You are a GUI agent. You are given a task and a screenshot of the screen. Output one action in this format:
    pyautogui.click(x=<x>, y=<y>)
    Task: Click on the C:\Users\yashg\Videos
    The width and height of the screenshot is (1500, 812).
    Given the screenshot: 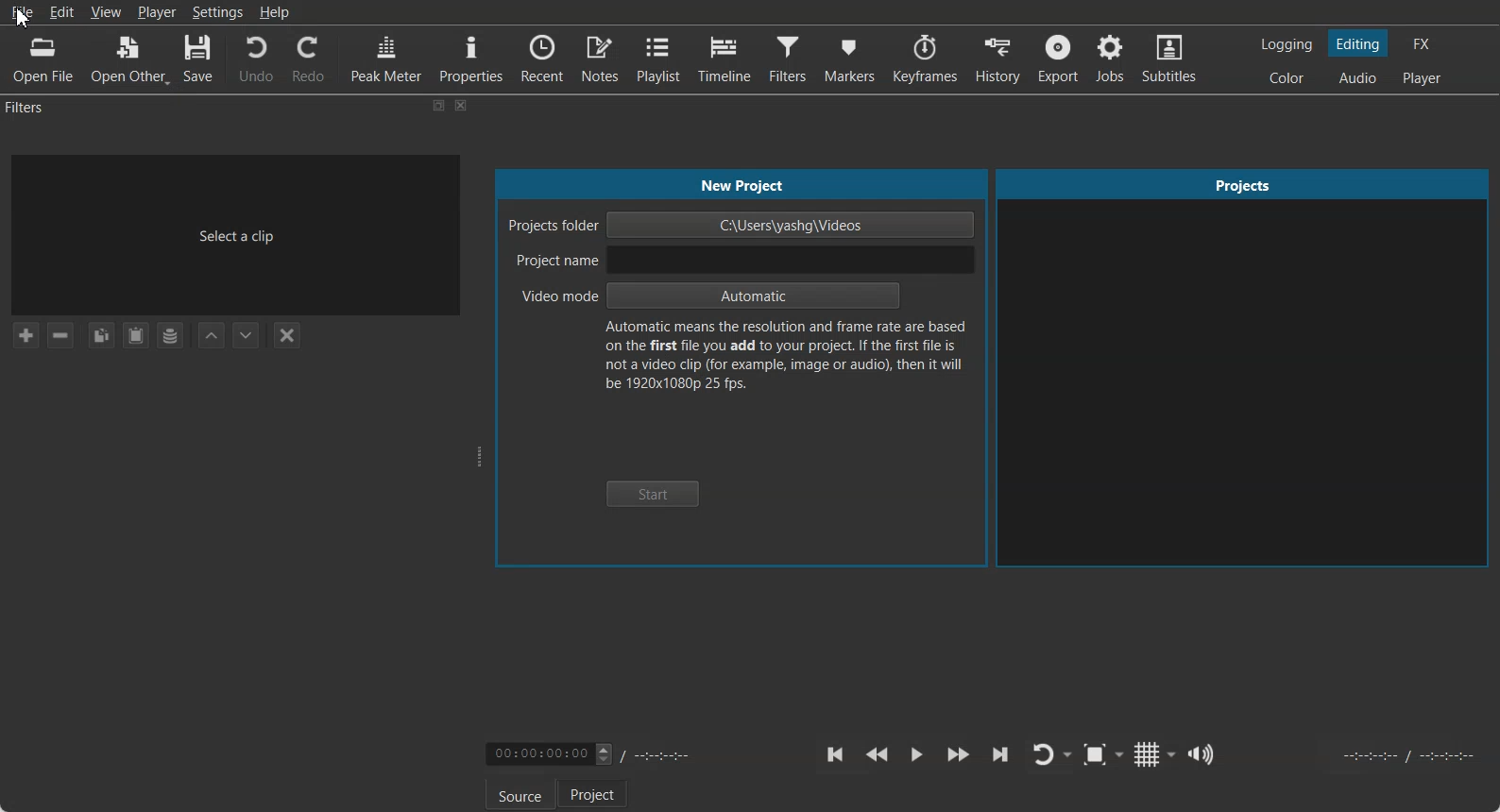 What is the action you would take?
    pyautogui.click(x=787, y=225)
    